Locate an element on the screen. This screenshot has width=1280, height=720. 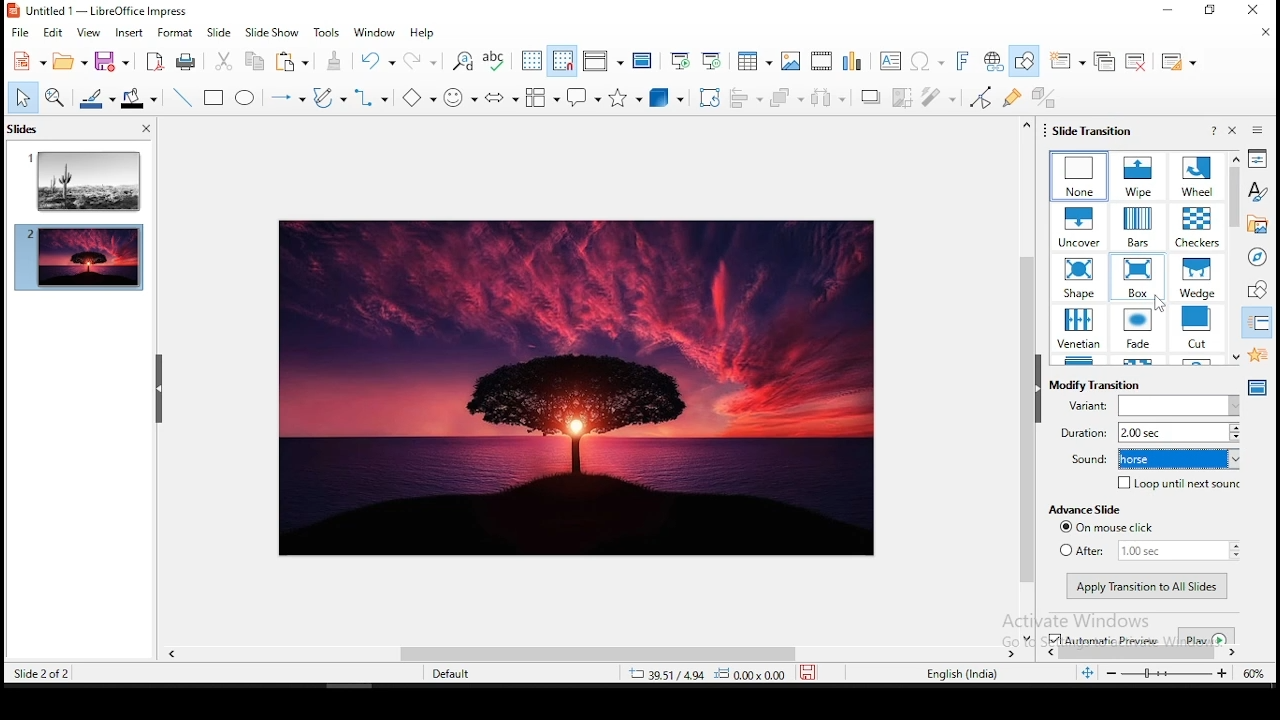
help is located at coordinates (1214, 131).